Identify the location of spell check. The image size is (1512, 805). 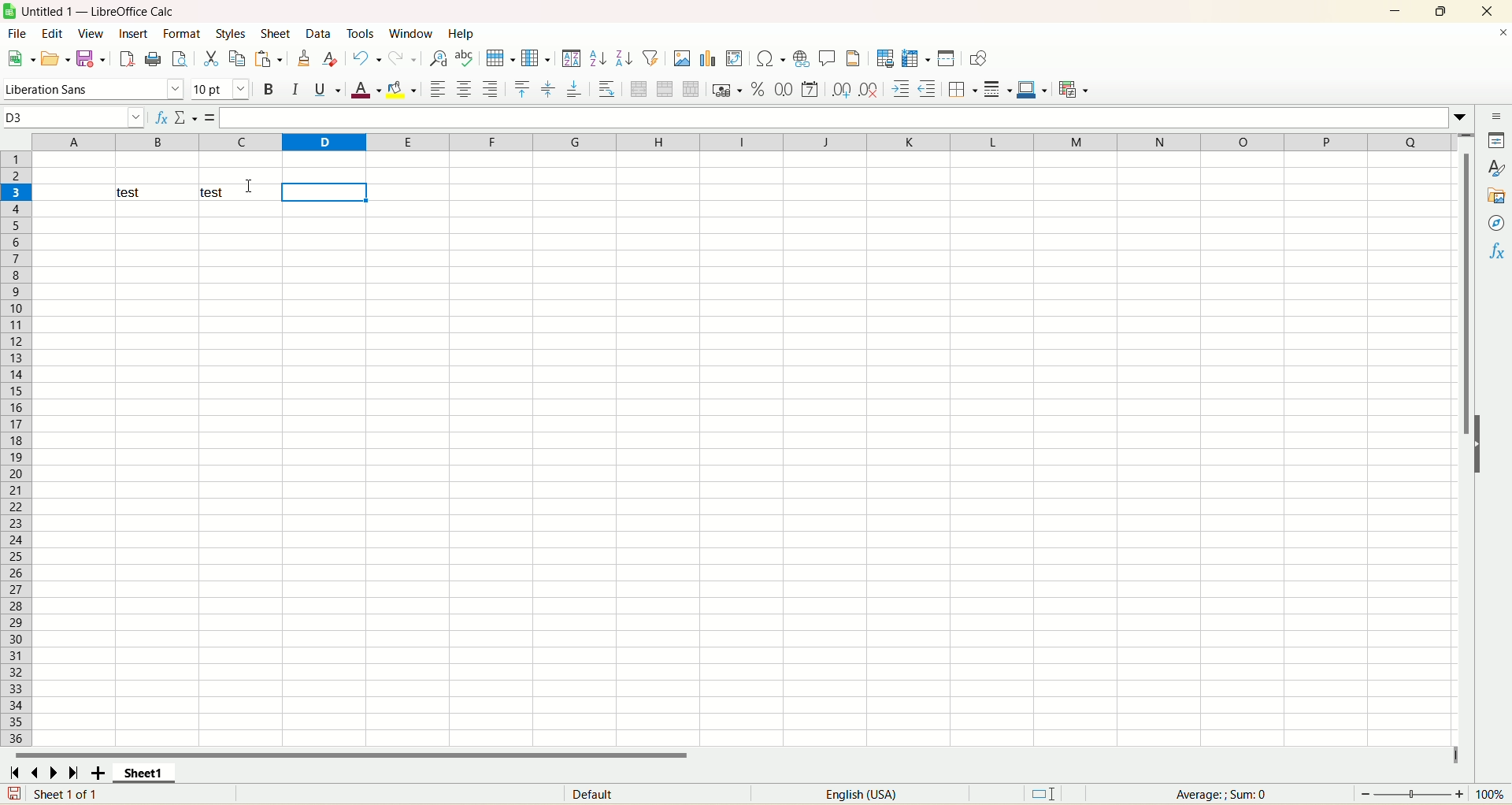
(465, 58).